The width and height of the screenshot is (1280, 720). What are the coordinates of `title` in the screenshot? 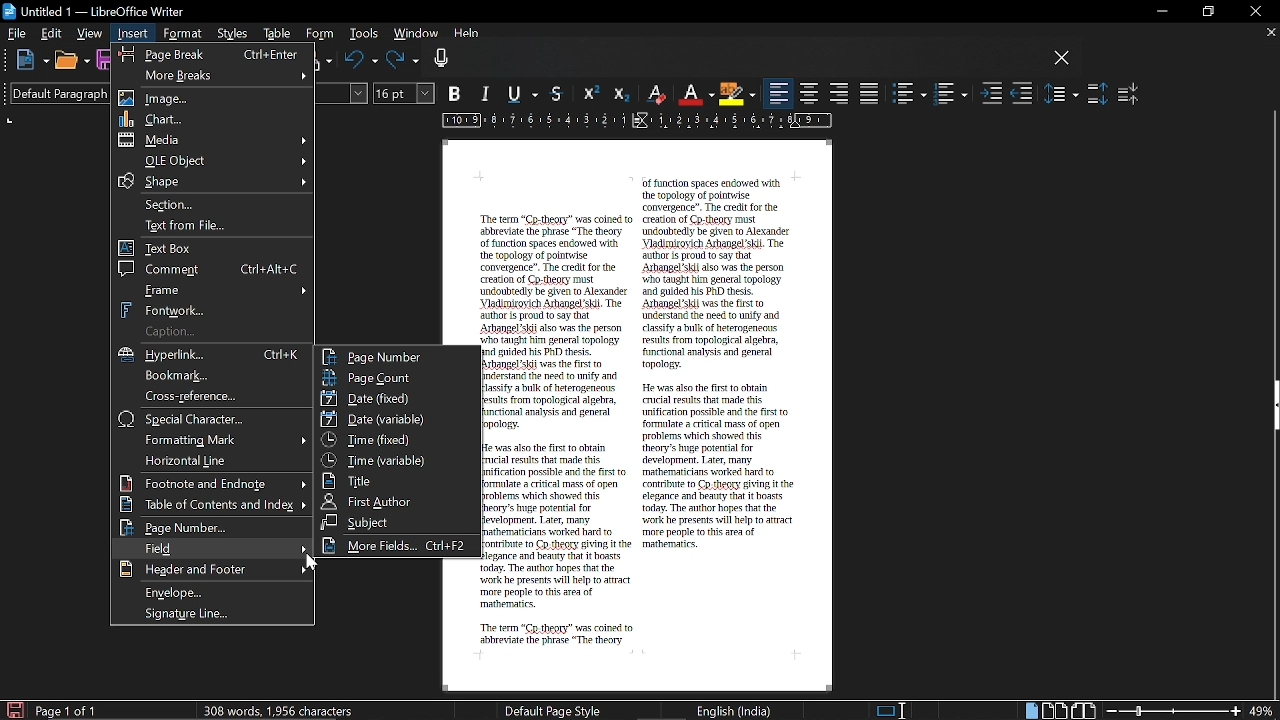 It's located at (394, 480).